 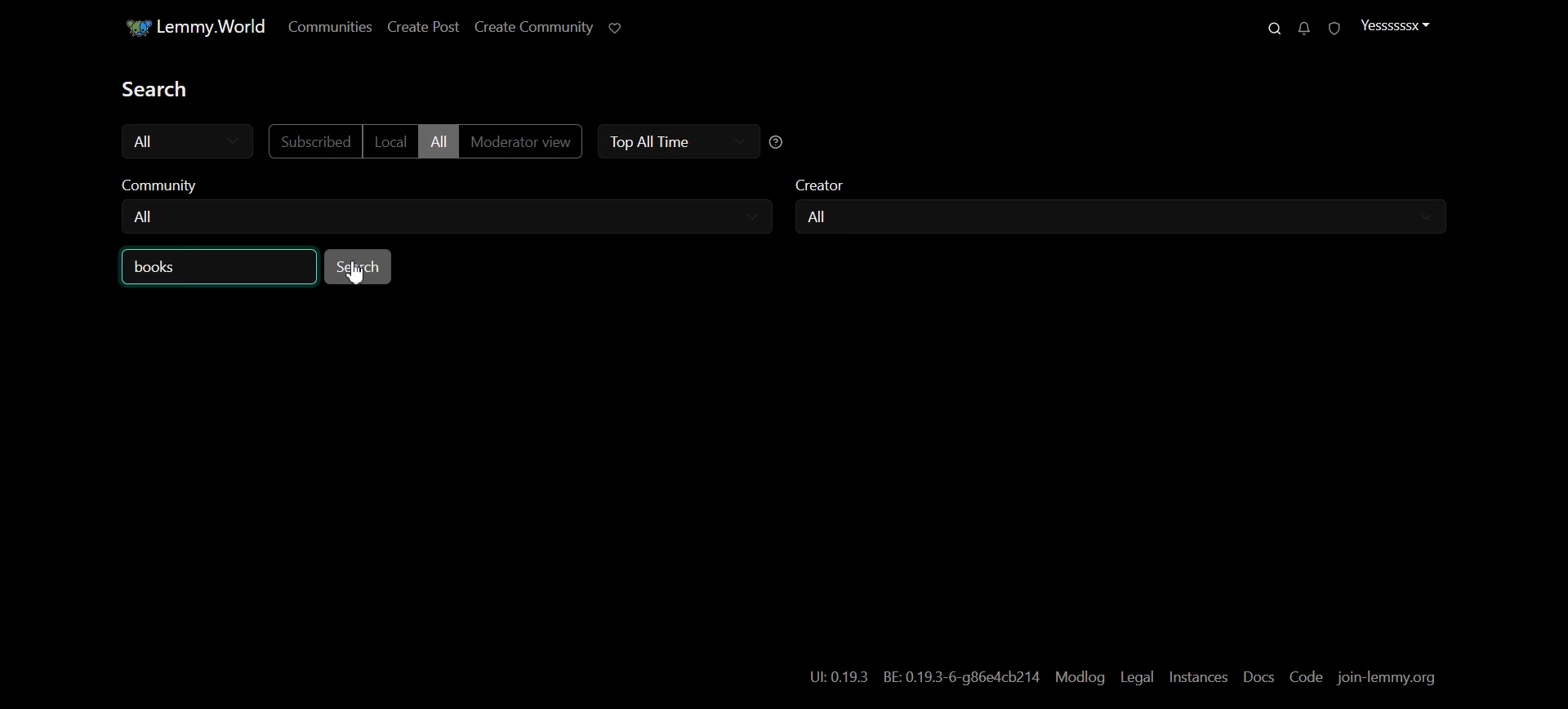 I want to click on Instances, so click(x=1196, y=677).